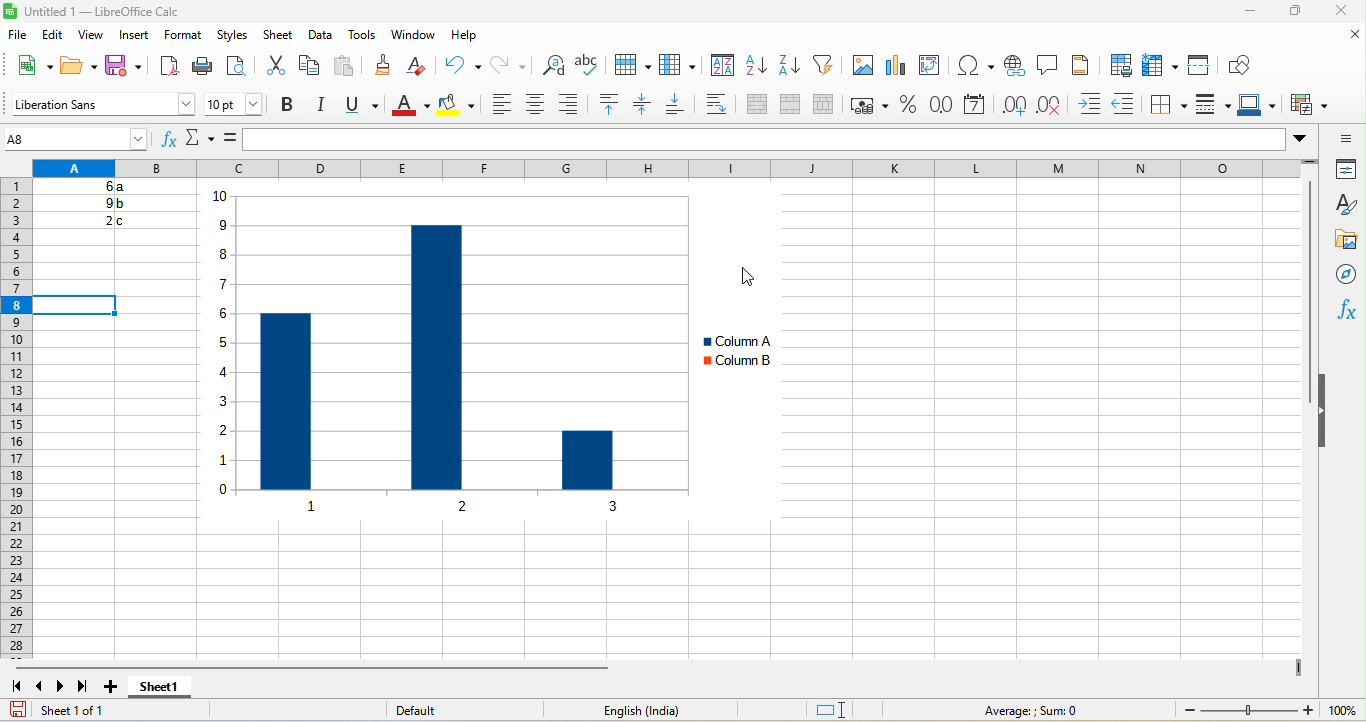  What do you see at coordinates (678, 108) in the screenshot?
I see `align bottom` at bounding box center [678, 108].